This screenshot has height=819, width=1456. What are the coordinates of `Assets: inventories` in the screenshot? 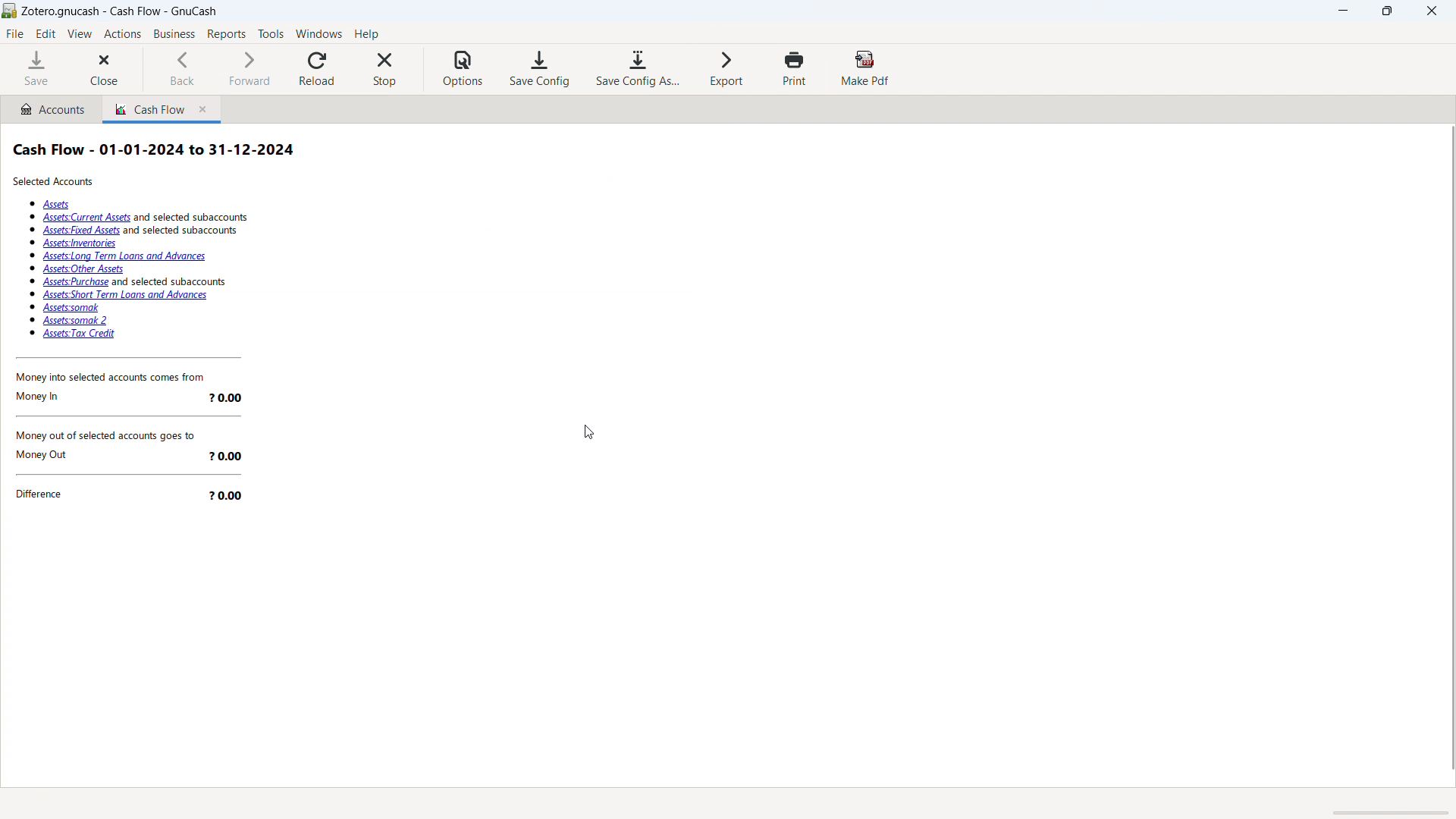 It's located at (79, 244).